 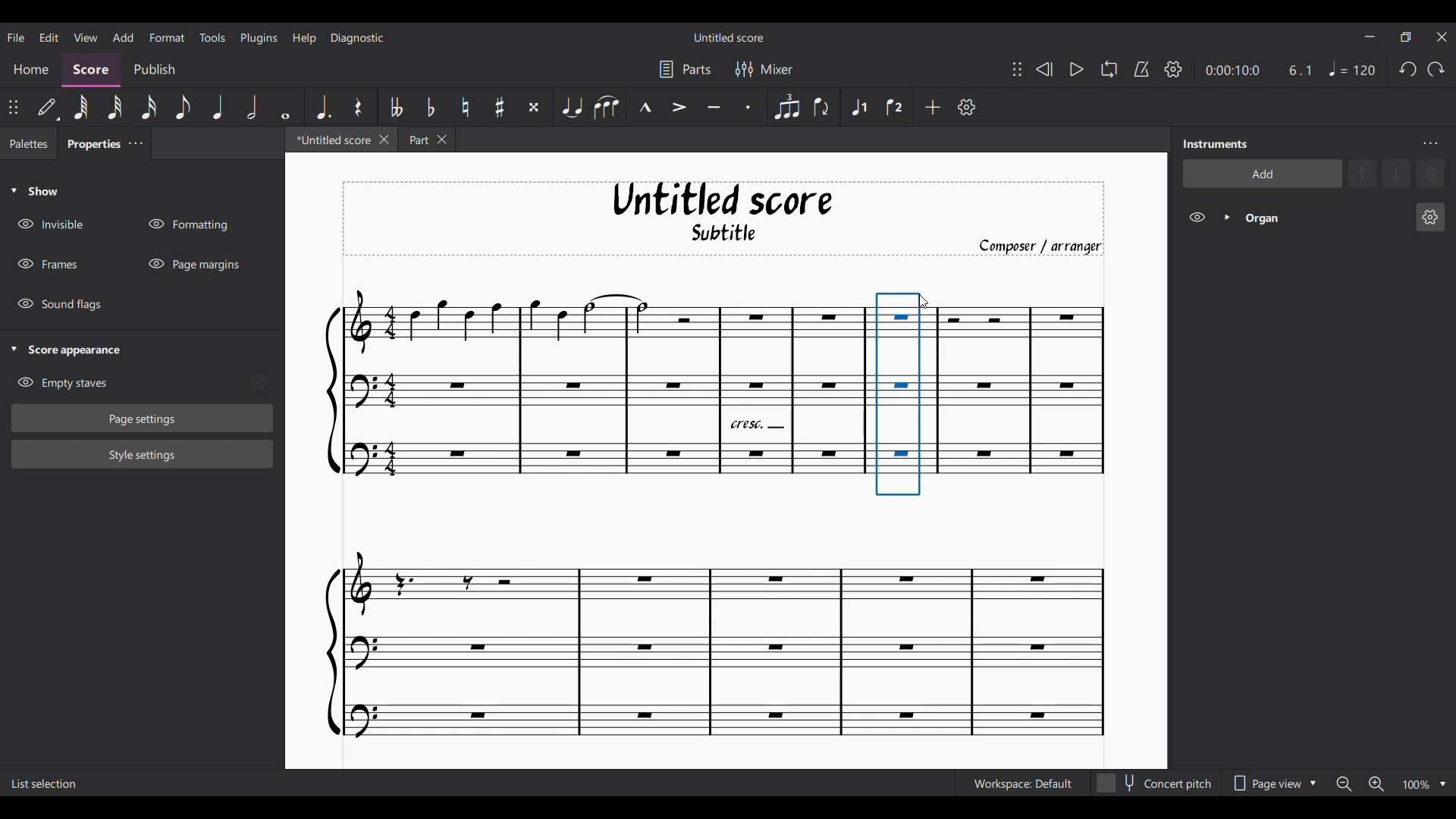 I want to click on Cursor position unchanged after making selection, so click(x=923, y=302).